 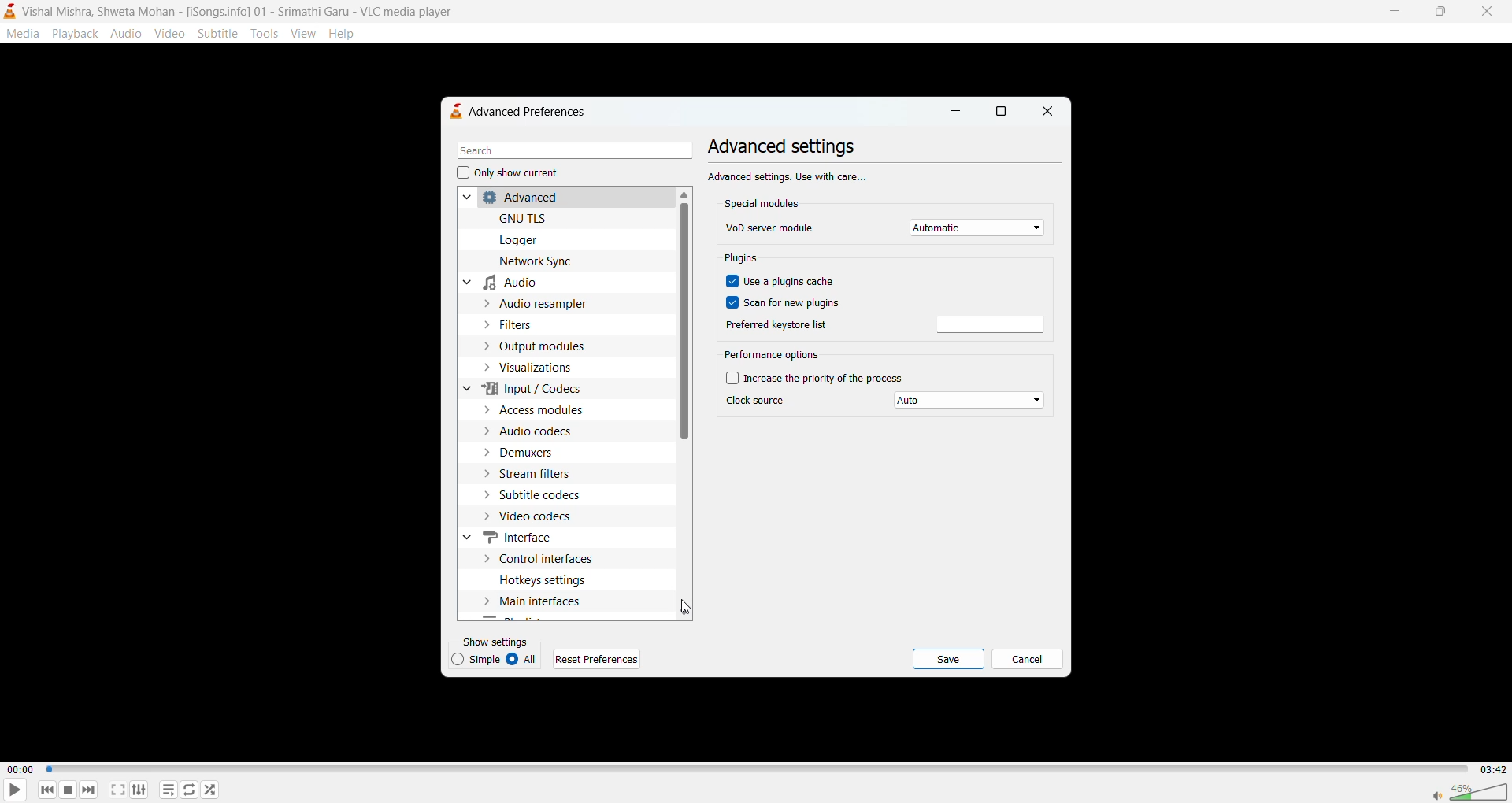 I want to click on video codecs, so click(x=538, y=516).